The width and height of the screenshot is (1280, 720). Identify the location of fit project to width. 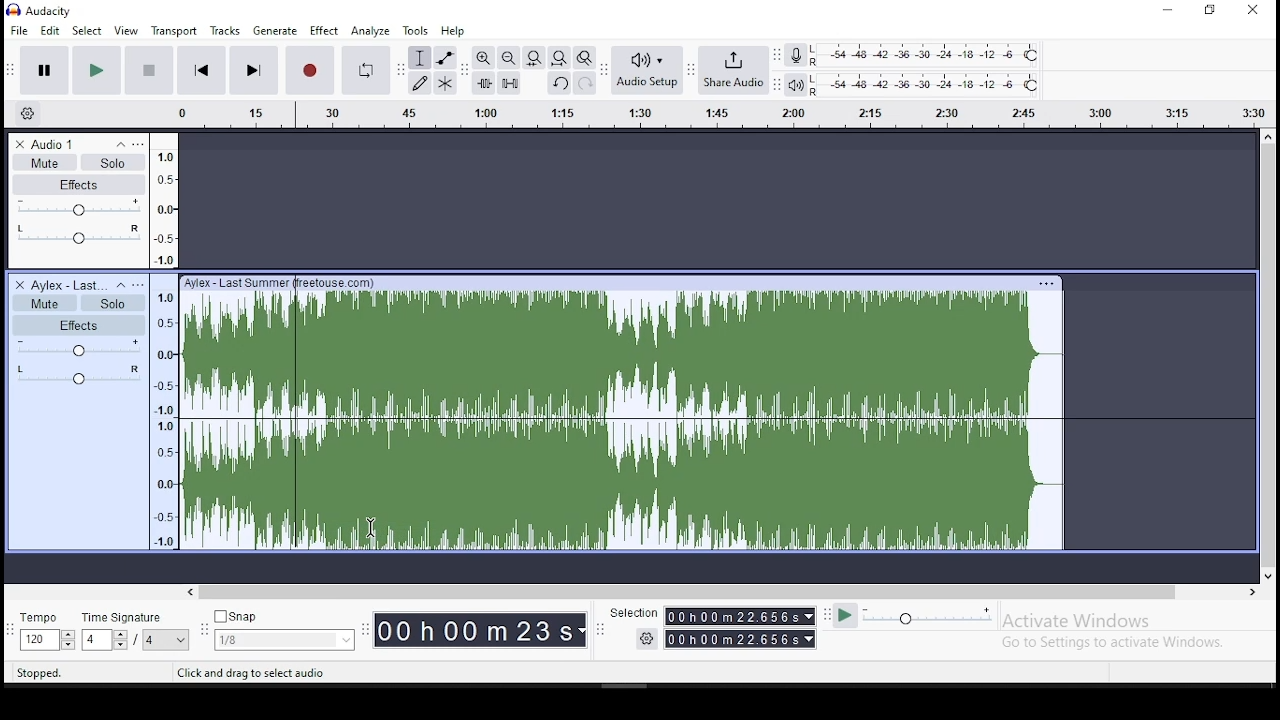
(559, 57).